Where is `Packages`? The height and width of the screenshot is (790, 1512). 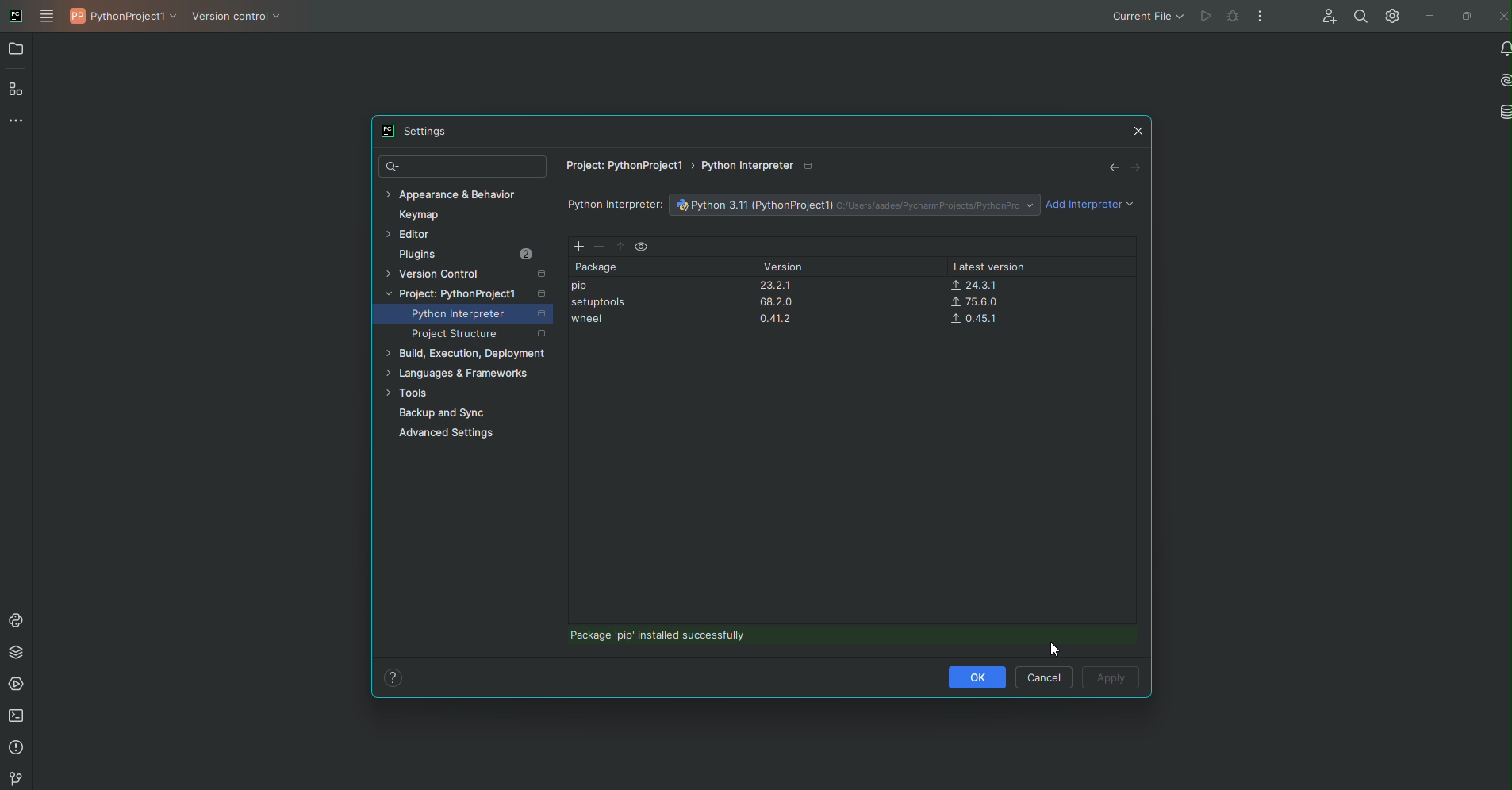 Packages is located at coordinates (15, 654).